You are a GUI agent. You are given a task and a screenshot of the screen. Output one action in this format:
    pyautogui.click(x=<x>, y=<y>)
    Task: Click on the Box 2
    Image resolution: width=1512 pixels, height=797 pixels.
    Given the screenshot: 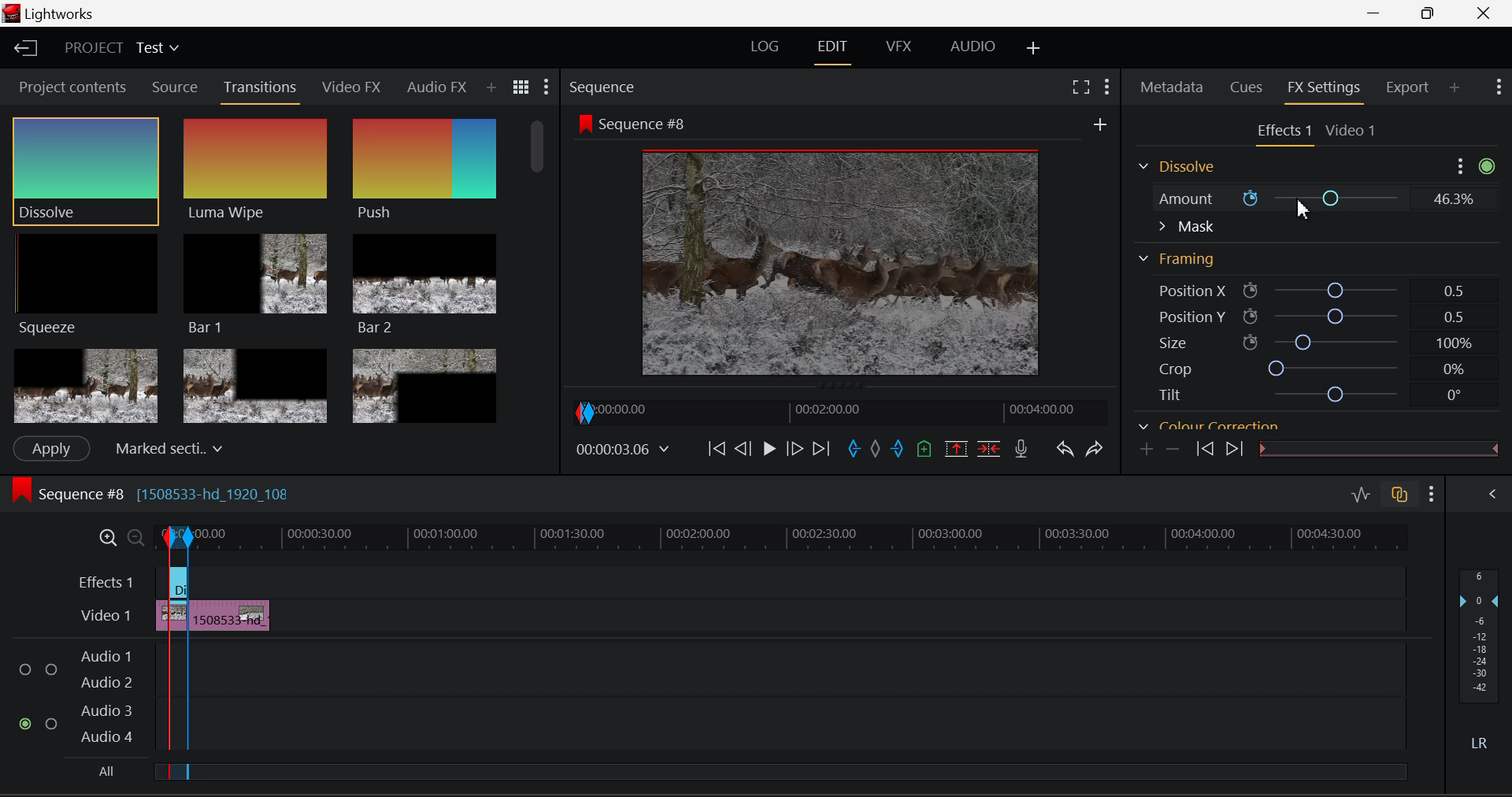 What is the action you would take?
    pyautogui.click(x=255, y=384)
    